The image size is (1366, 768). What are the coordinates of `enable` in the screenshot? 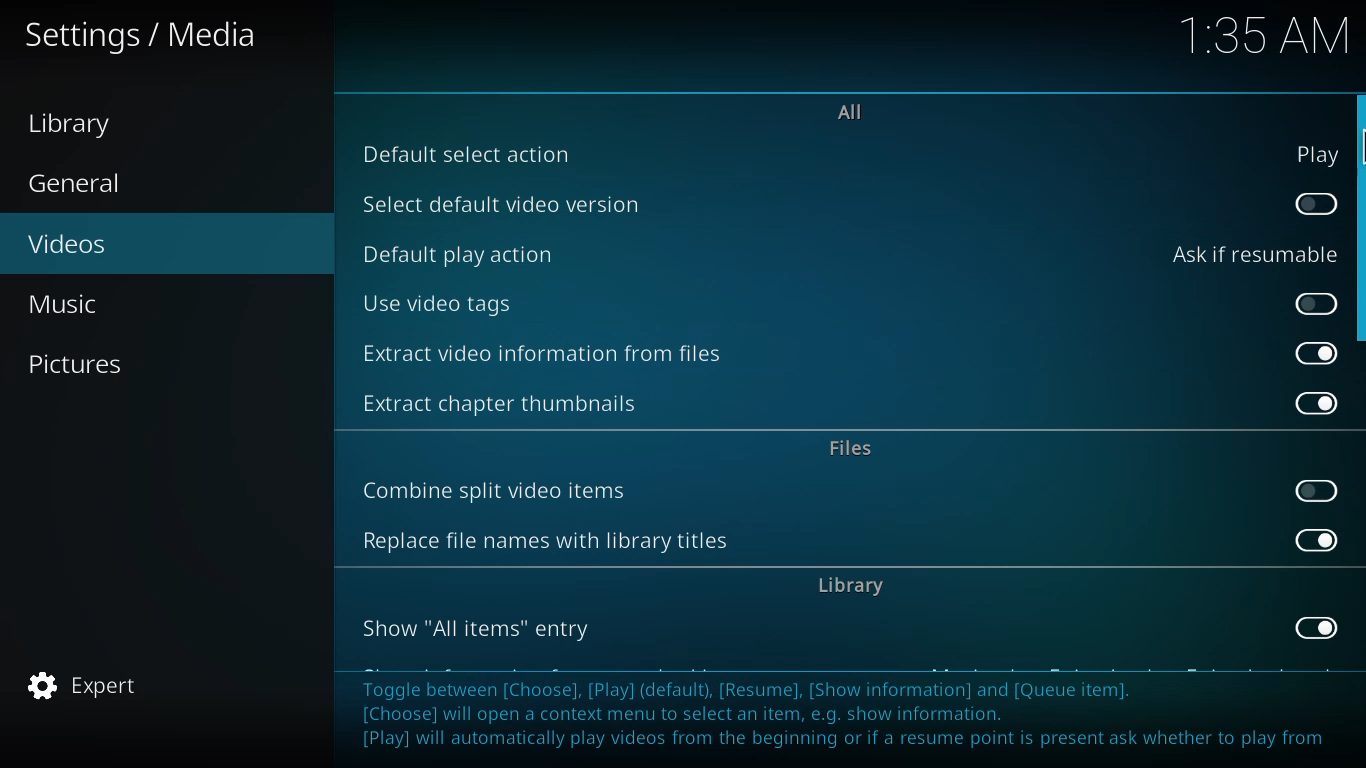 It's located at (1318, 491).